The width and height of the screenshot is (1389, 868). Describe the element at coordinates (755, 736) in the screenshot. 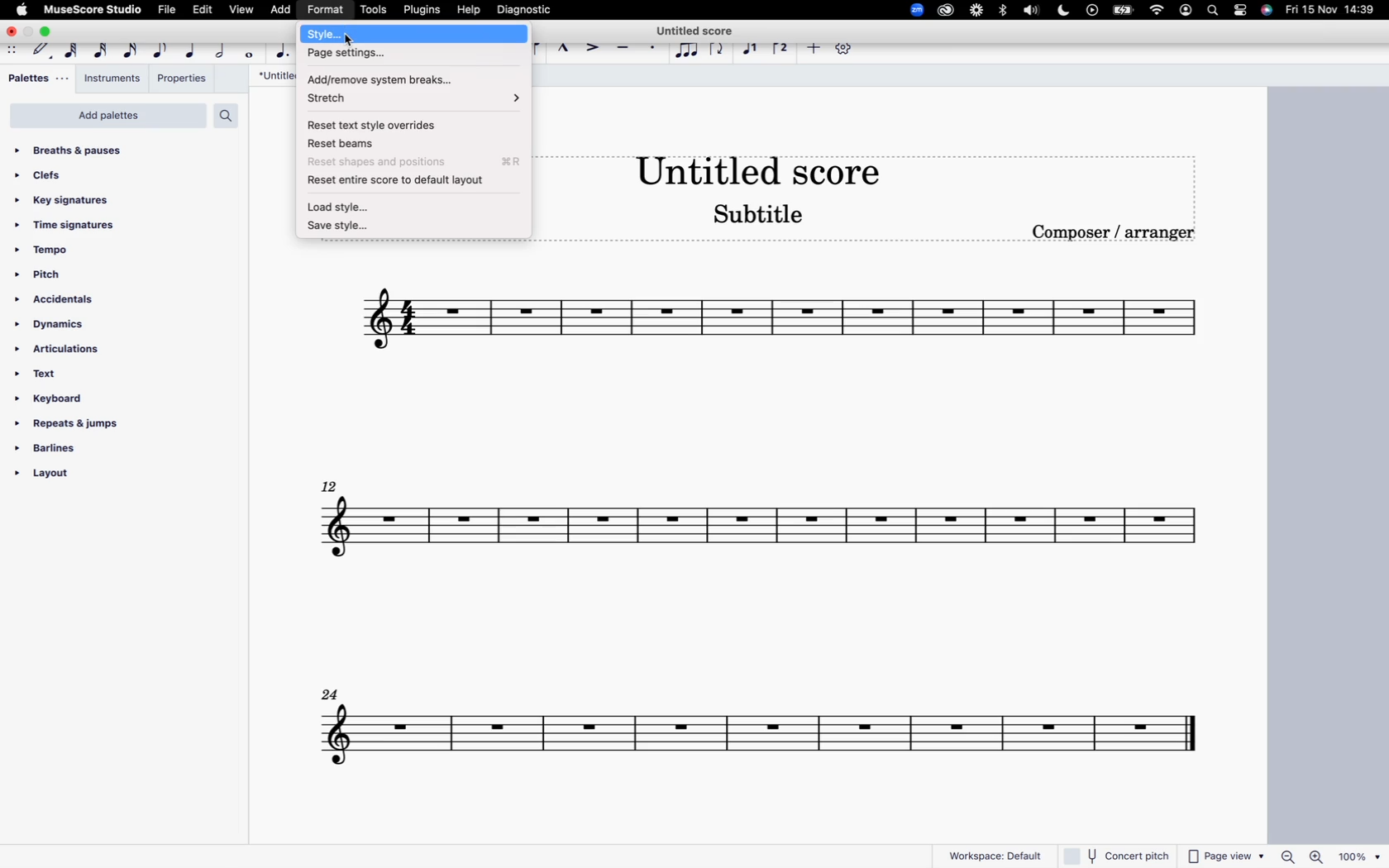

I see `Score` at that location.